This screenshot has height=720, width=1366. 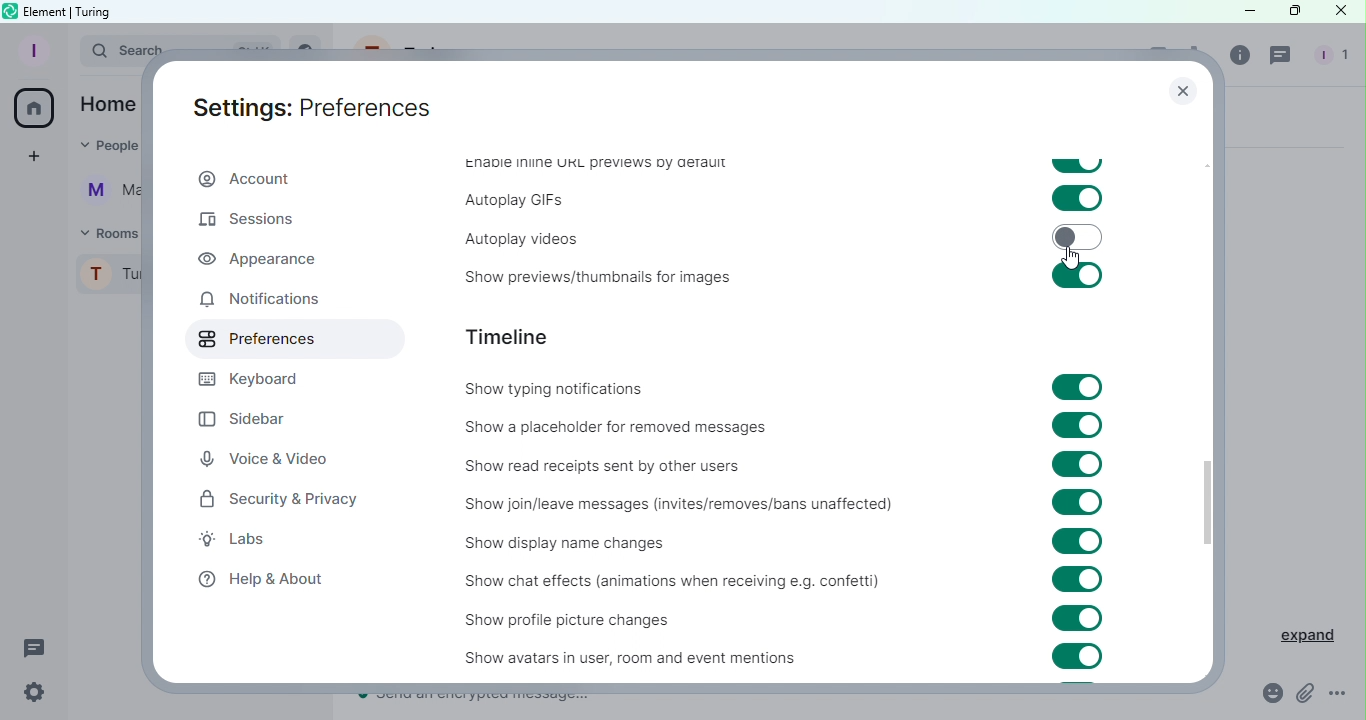 What do you see at coordinates (1078, 504) in the screenshot?
I see `Toggle` at bounding box center [1078, 504].